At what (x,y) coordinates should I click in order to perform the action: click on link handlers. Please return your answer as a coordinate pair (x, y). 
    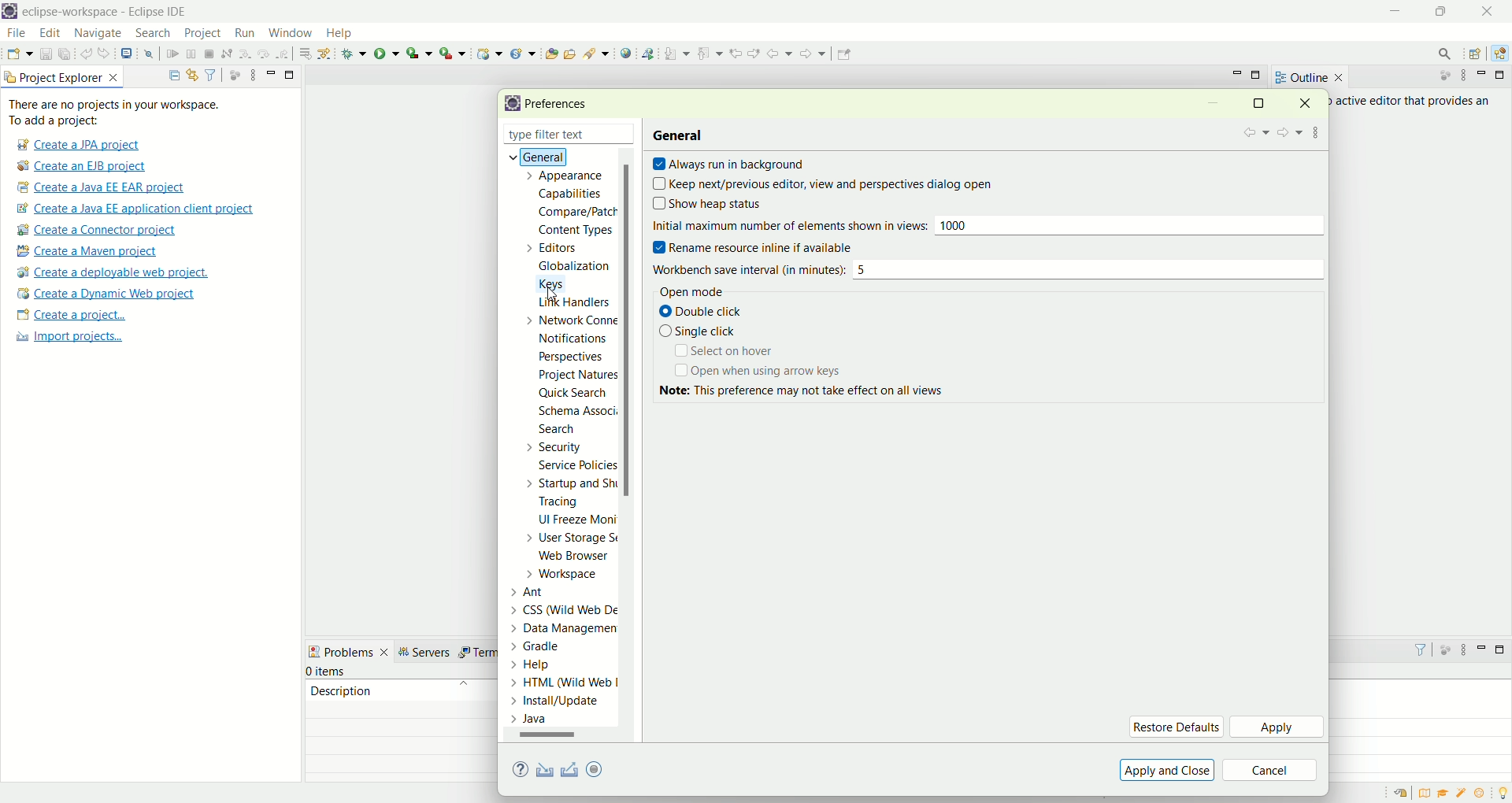
    Looking at the image, I should click on (573, 304).